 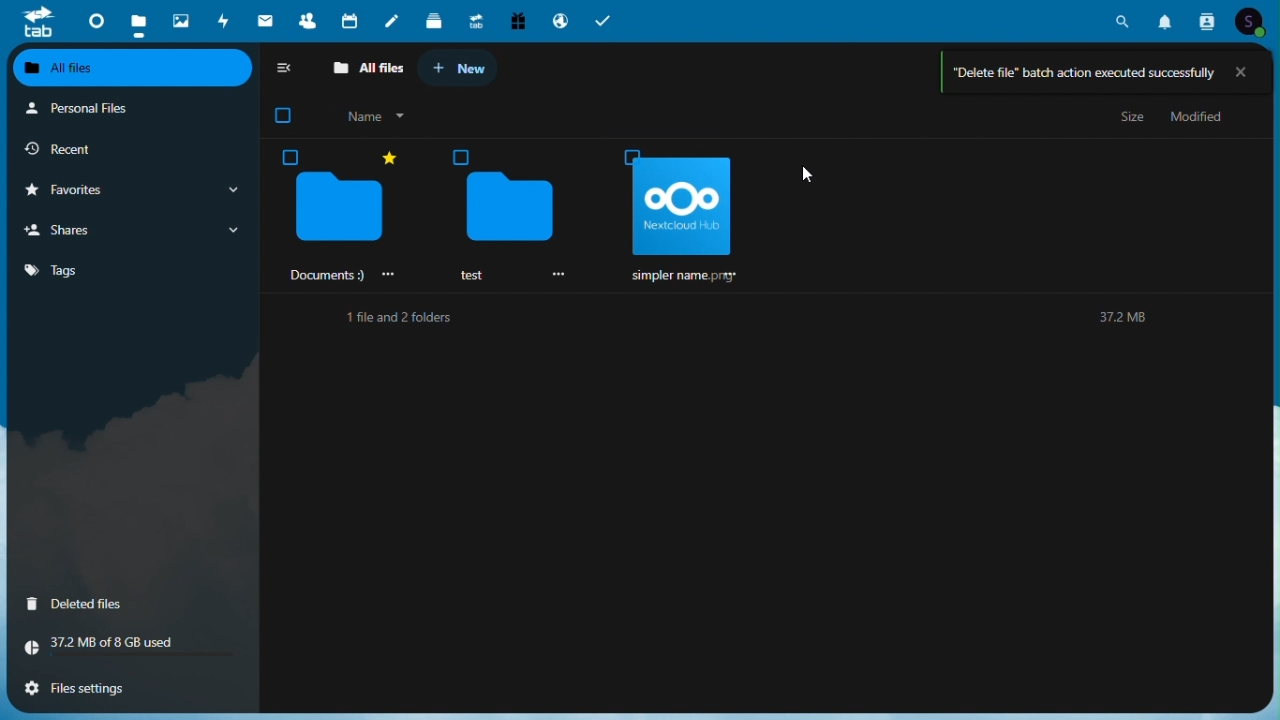 I want to click on Contacts, so click(x=305, y=19).